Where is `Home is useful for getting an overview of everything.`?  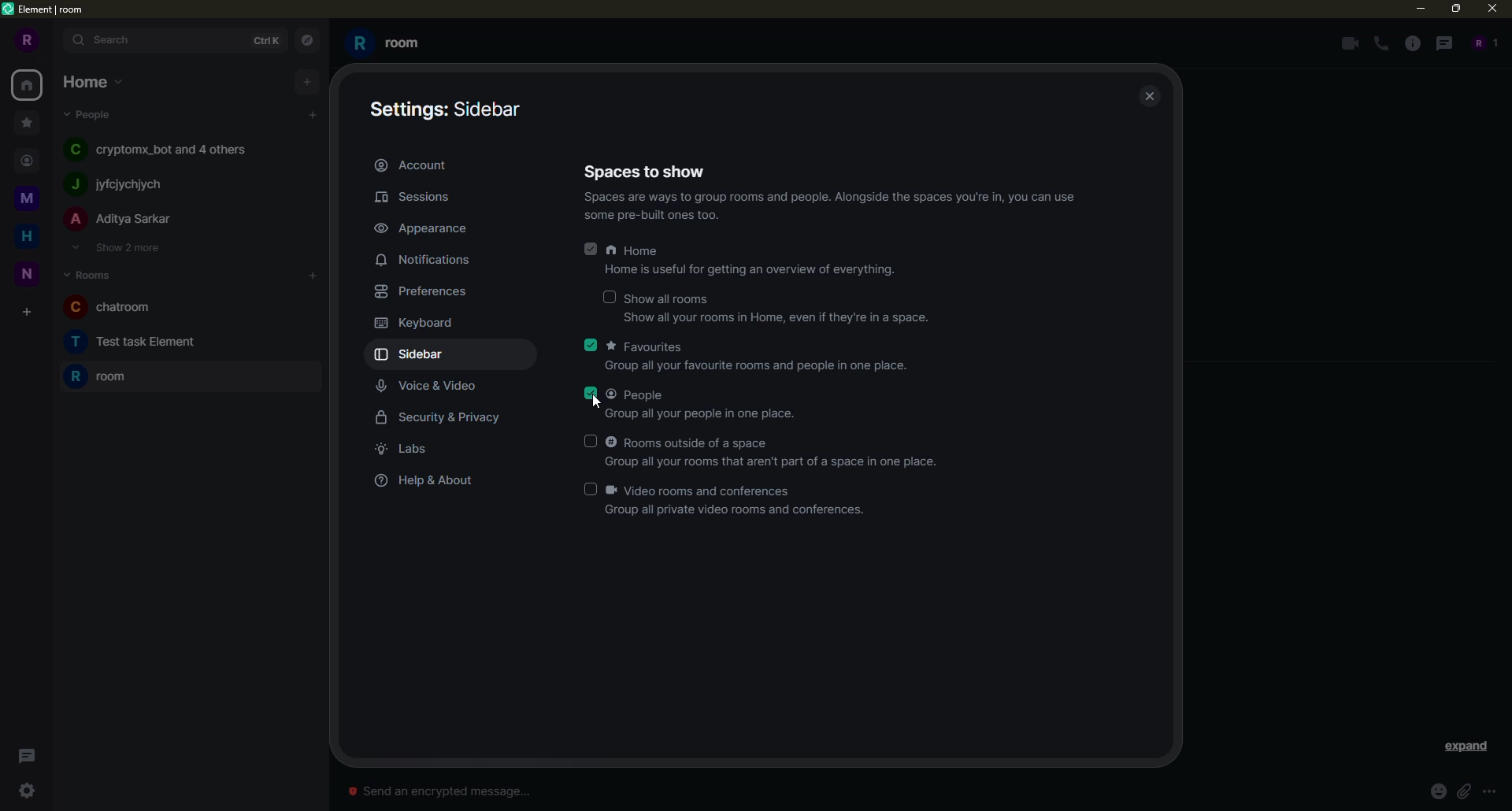 Home is useful for getting an overview of everything. is located at coordinates (733, 273).